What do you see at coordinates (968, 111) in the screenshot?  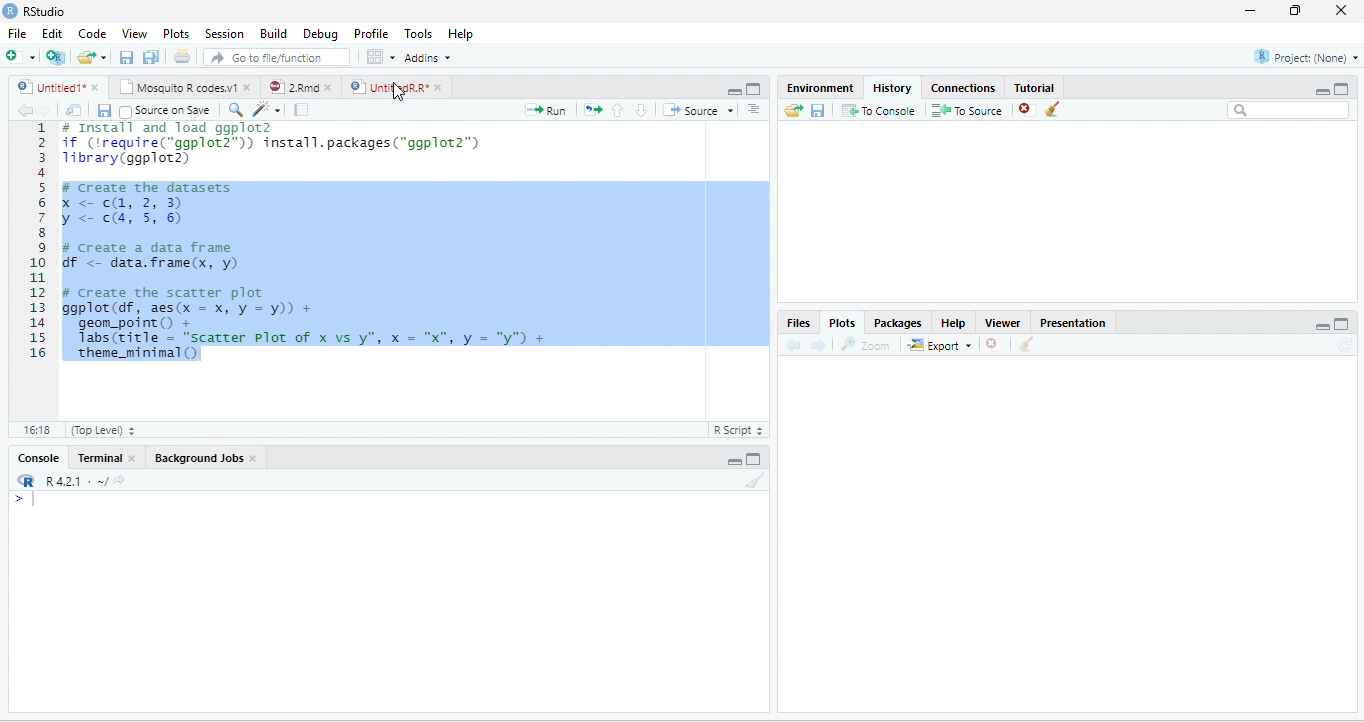 I see `To Source` at bounding box center [968, 111].